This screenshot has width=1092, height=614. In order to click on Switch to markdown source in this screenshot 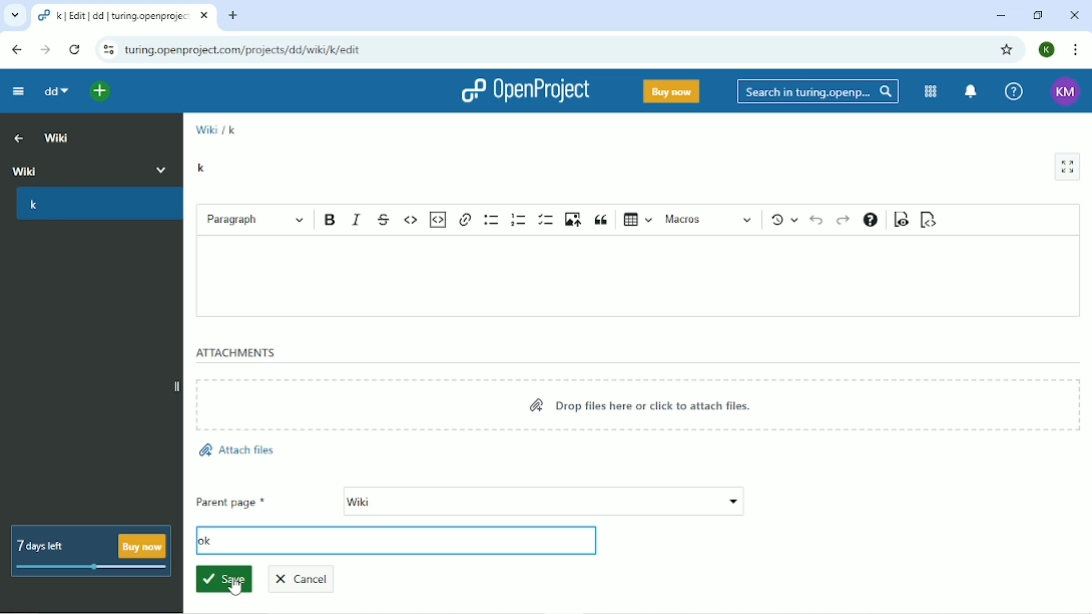, I will do `click(930, 220)`.